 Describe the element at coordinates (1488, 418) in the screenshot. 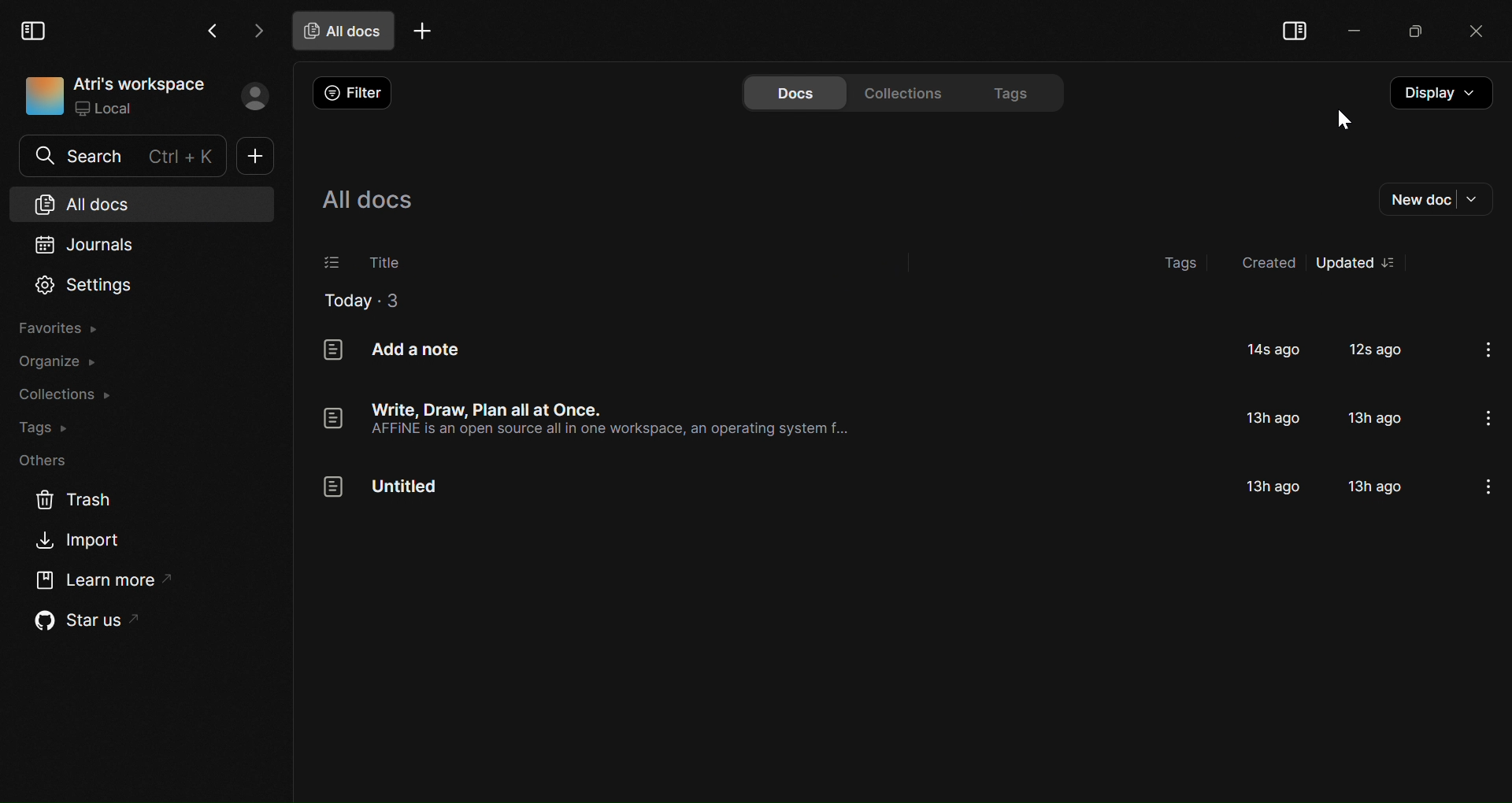

I see `options` at that location.